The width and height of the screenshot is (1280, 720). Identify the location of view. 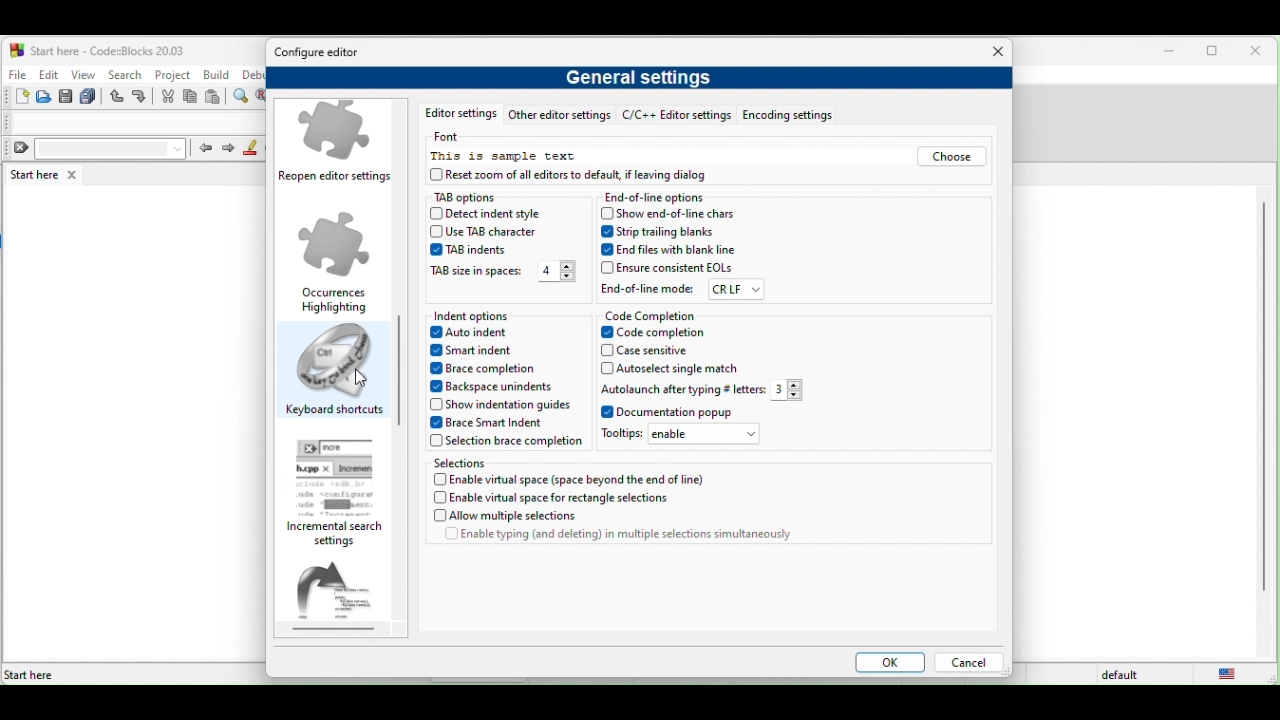
(84, 74).